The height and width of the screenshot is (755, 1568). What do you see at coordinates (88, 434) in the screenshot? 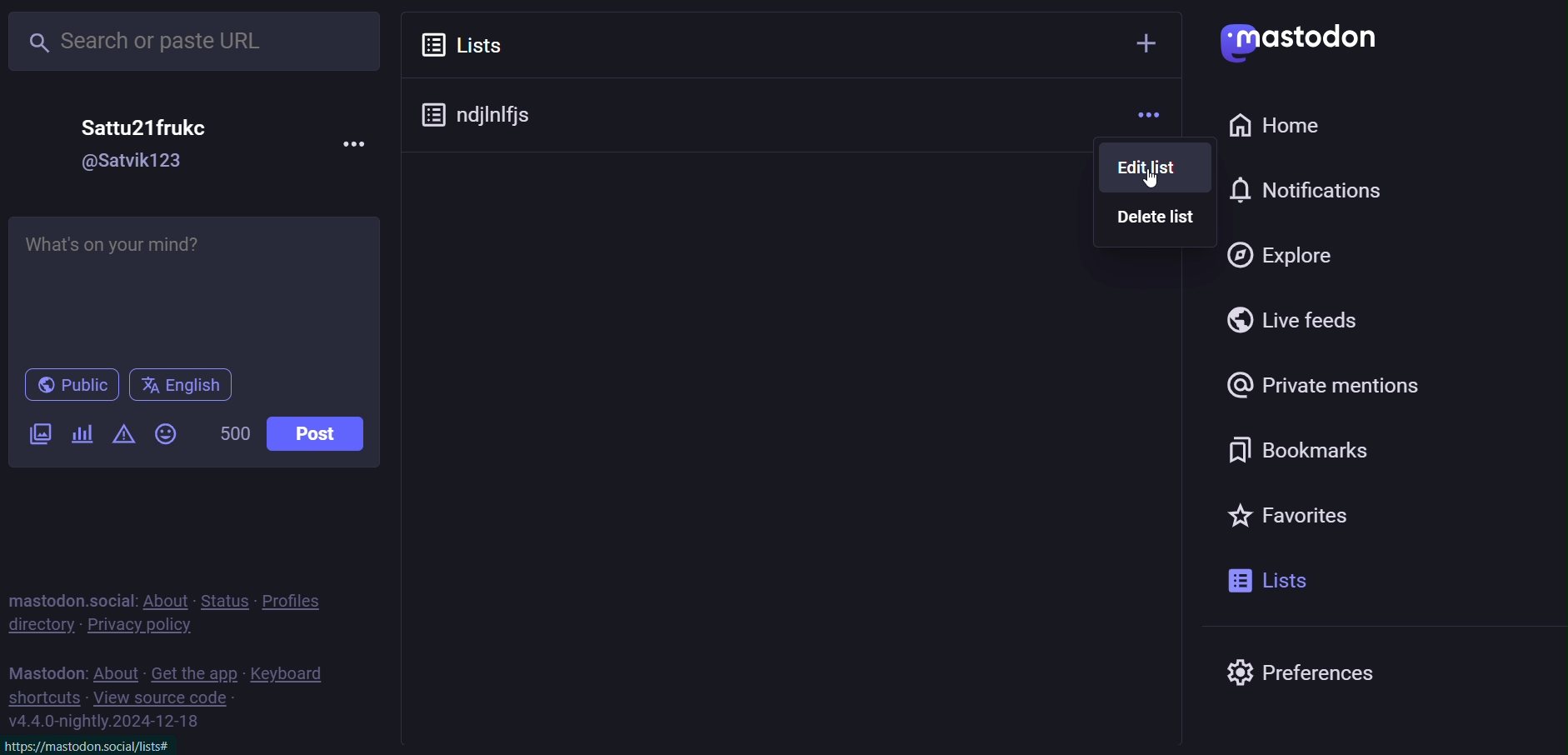
I see `poll` at bounding box center [88, 434].